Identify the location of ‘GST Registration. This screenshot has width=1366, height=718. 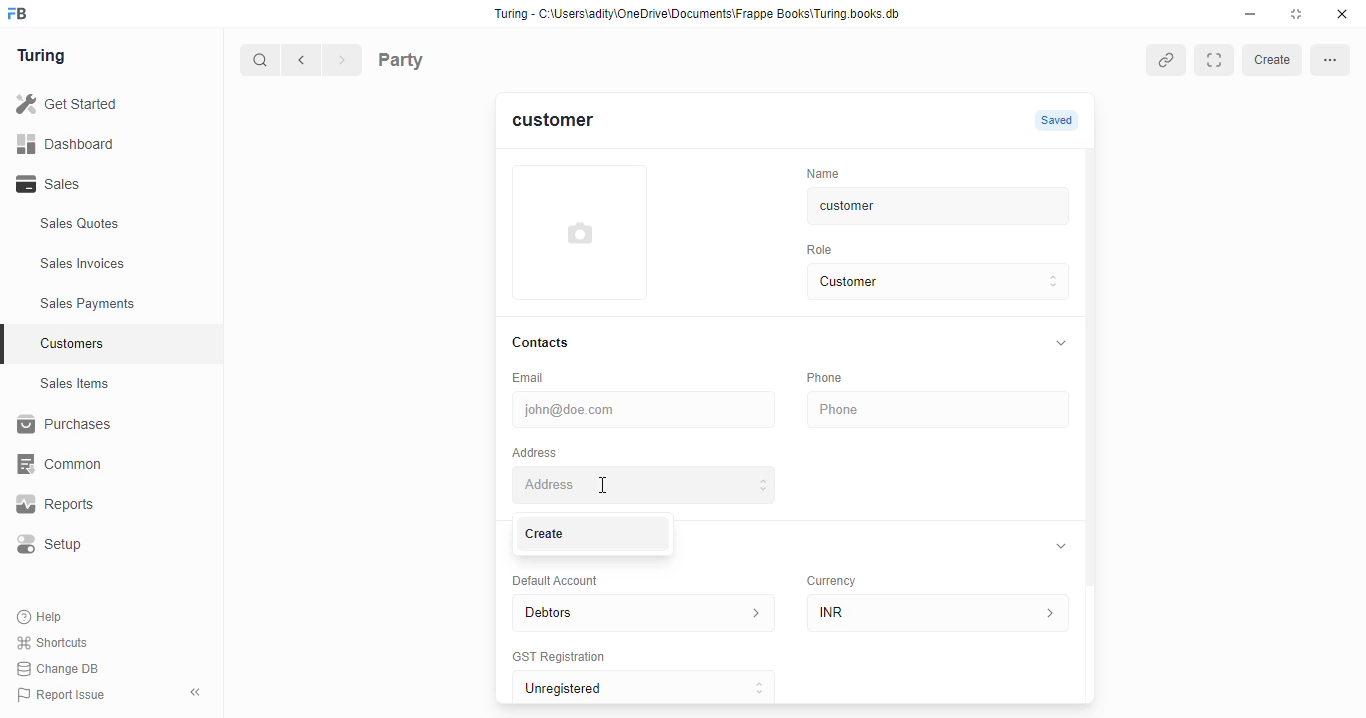
(557, 656).